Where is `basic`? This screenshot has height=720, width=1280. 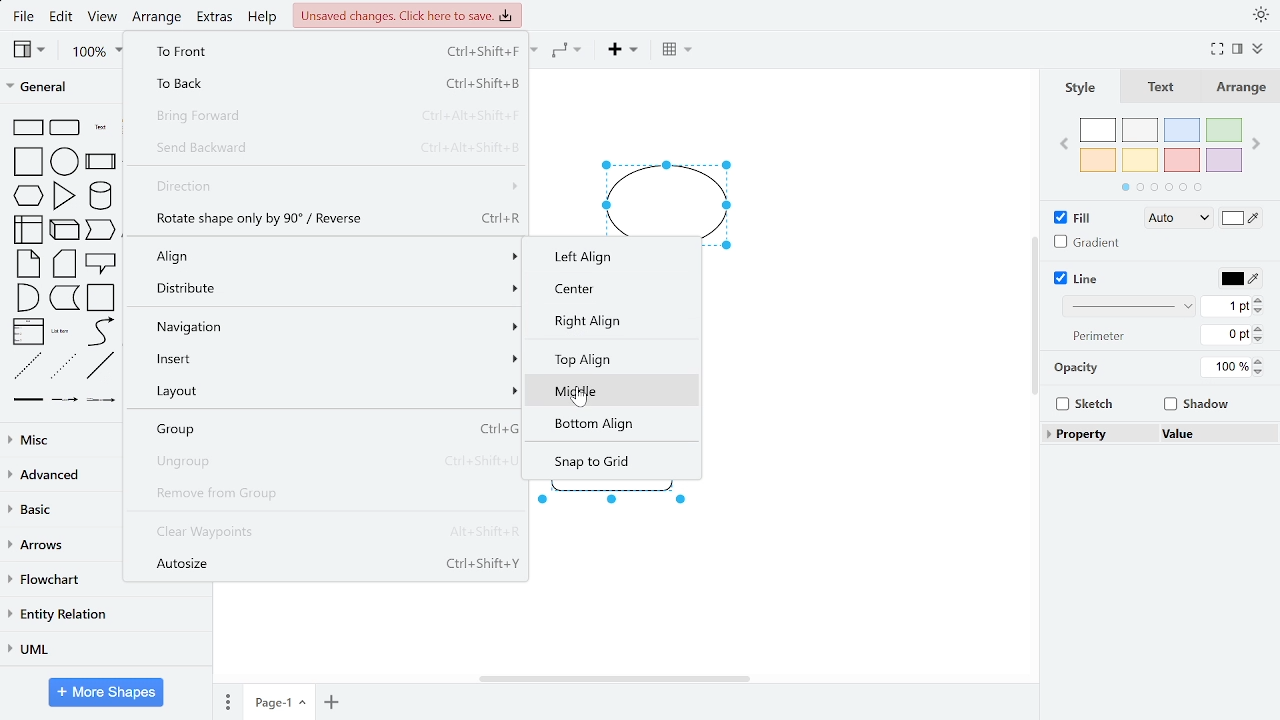 basic is located at coordinates (59, 511).